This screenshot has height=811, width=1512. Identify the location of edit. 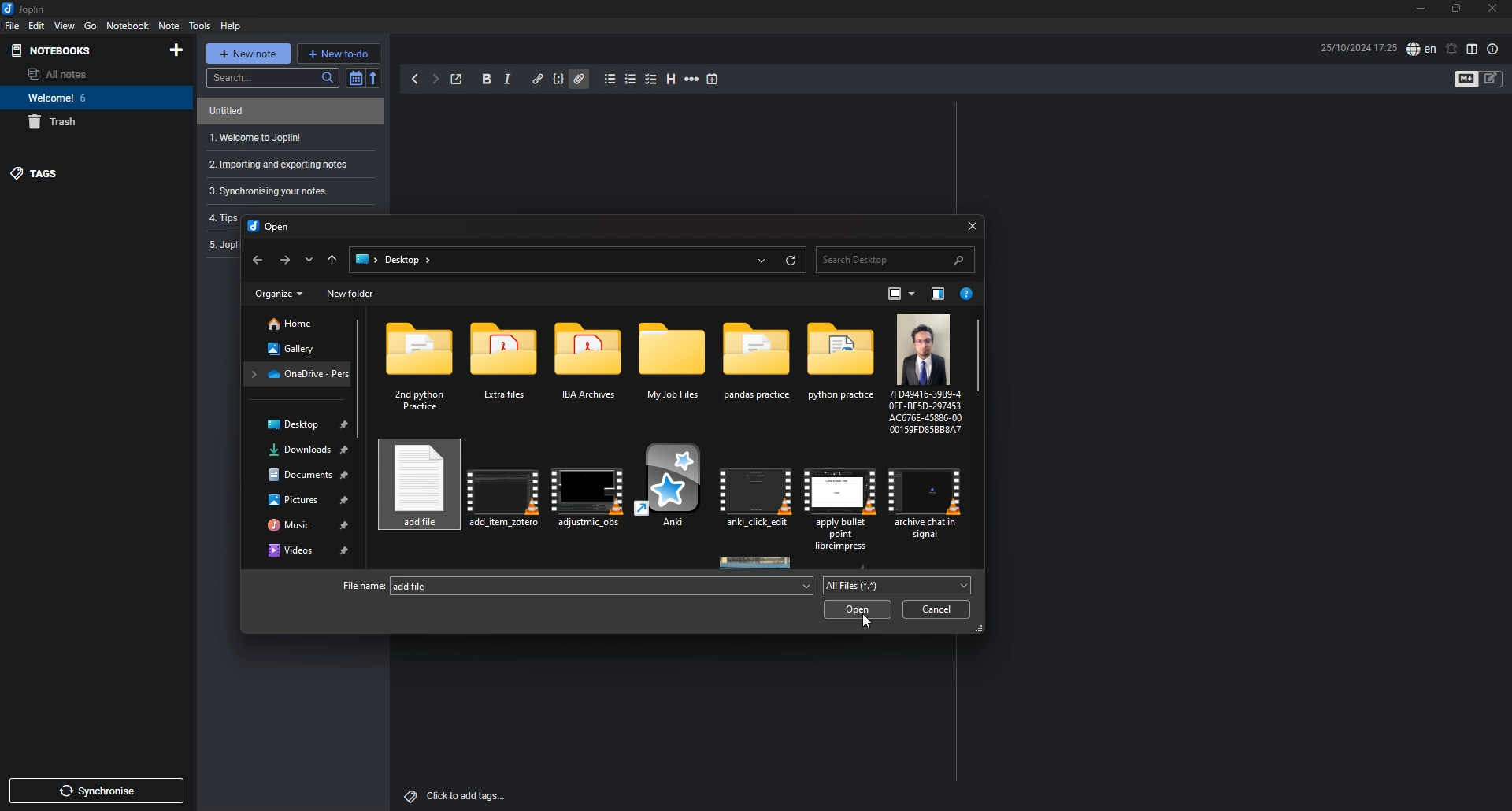
(38, 25).